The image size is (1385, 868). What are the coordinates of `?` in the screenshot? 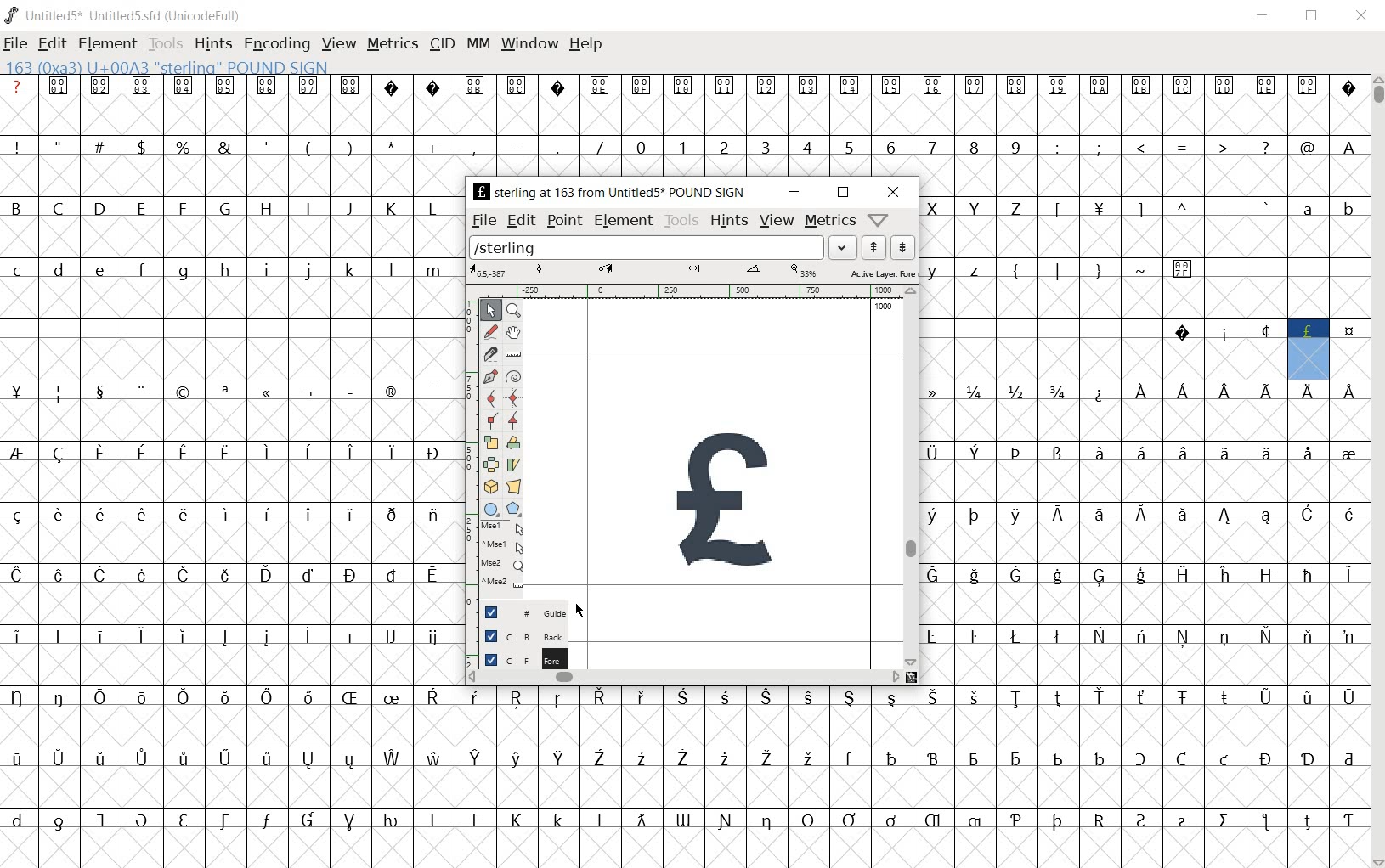 It's located at (18, 85).